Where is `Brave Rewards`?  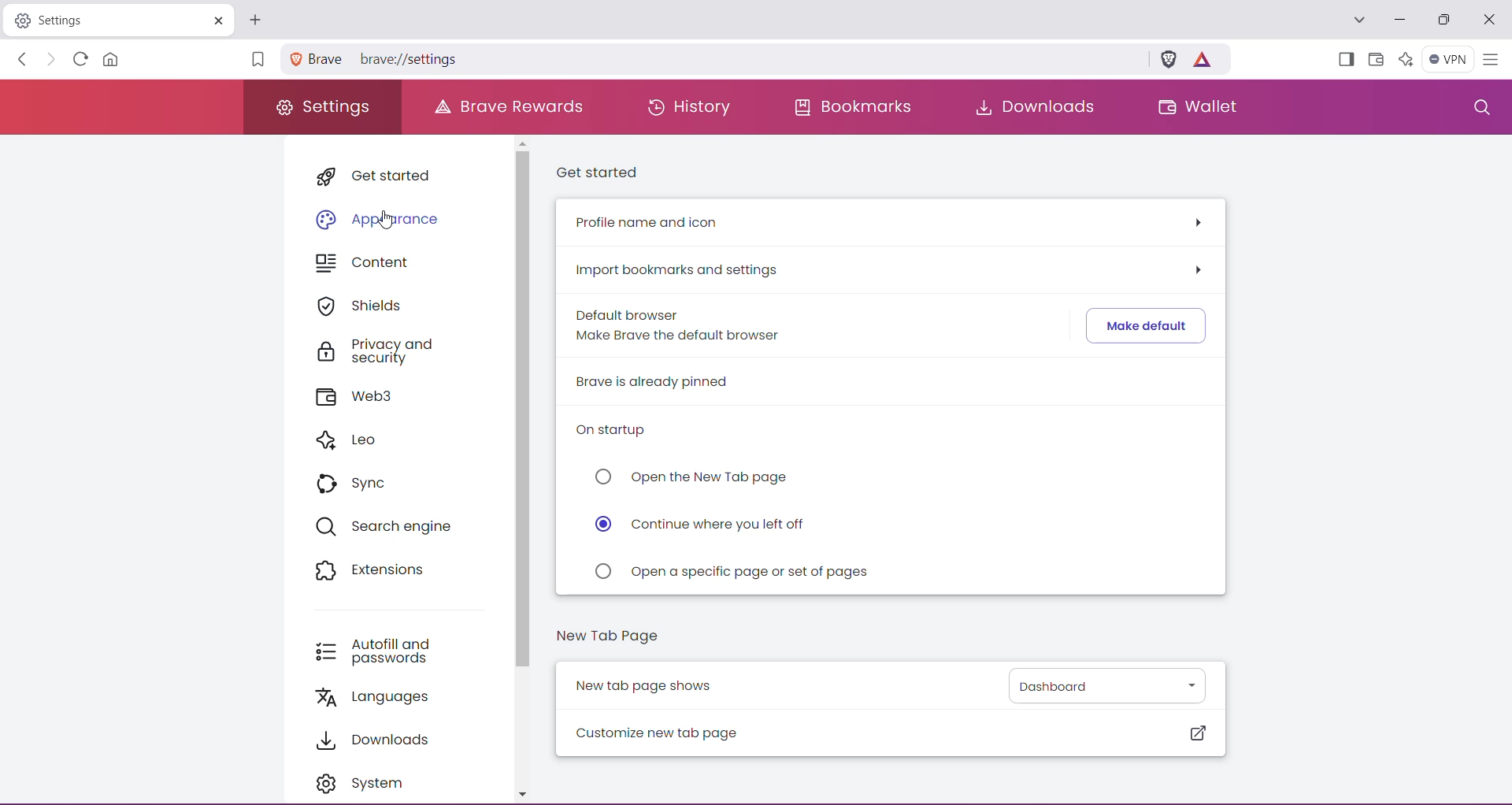
Brave Rewards is located at coordinates (512, 106).